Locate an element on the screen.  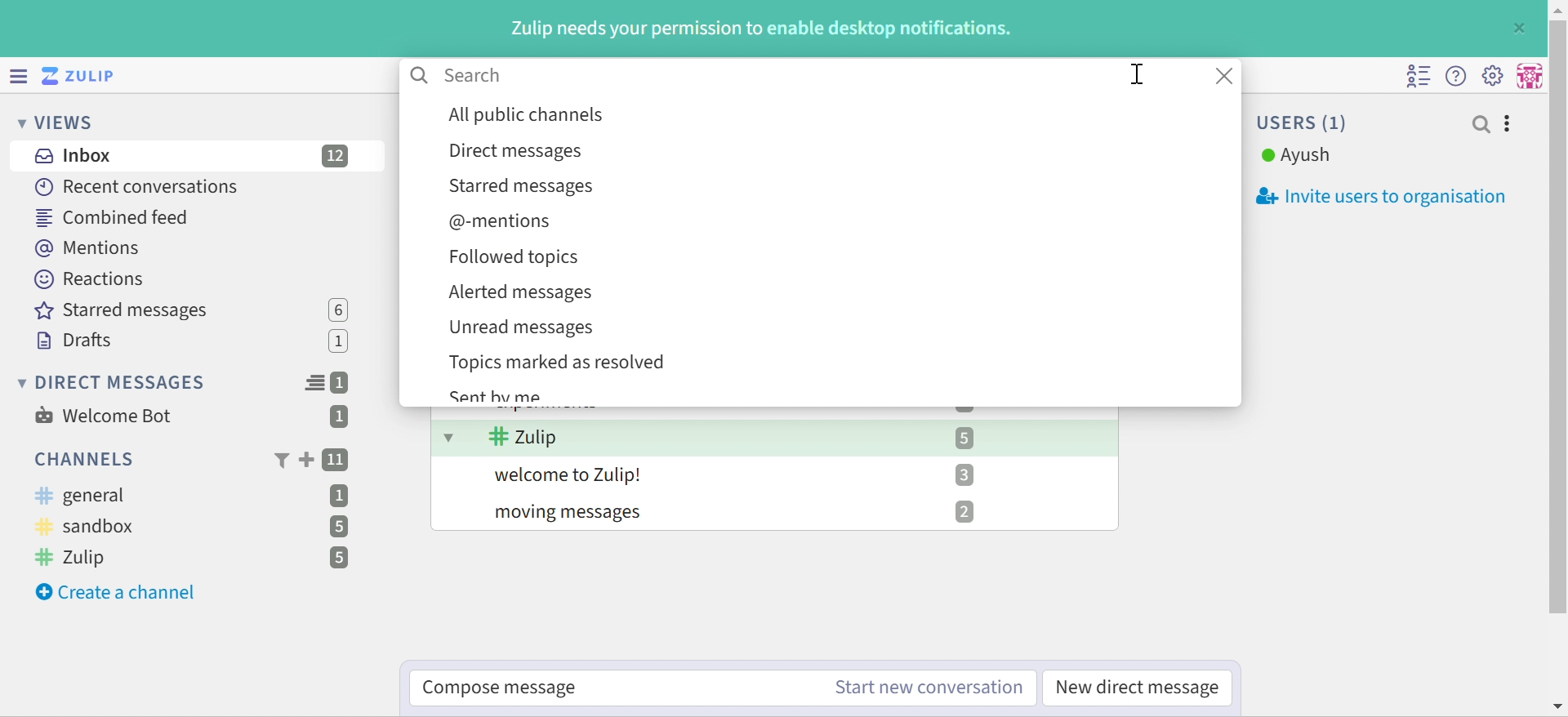
Search is located at coordinates (474, 75).